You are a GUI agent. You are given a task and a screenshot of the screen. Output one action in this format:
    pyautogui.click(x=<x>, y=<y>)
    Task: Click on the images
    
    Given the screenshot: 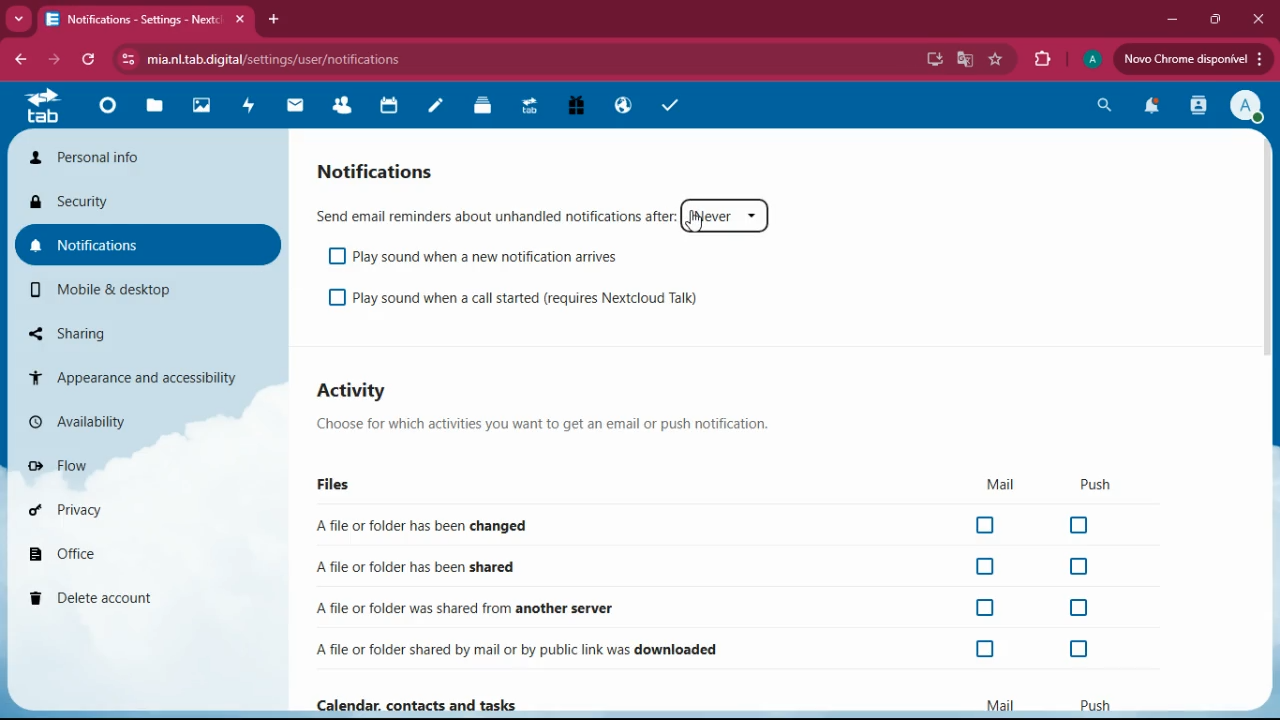 What is the action you would take?
    pyautogui.click(x=201, y=107)
    